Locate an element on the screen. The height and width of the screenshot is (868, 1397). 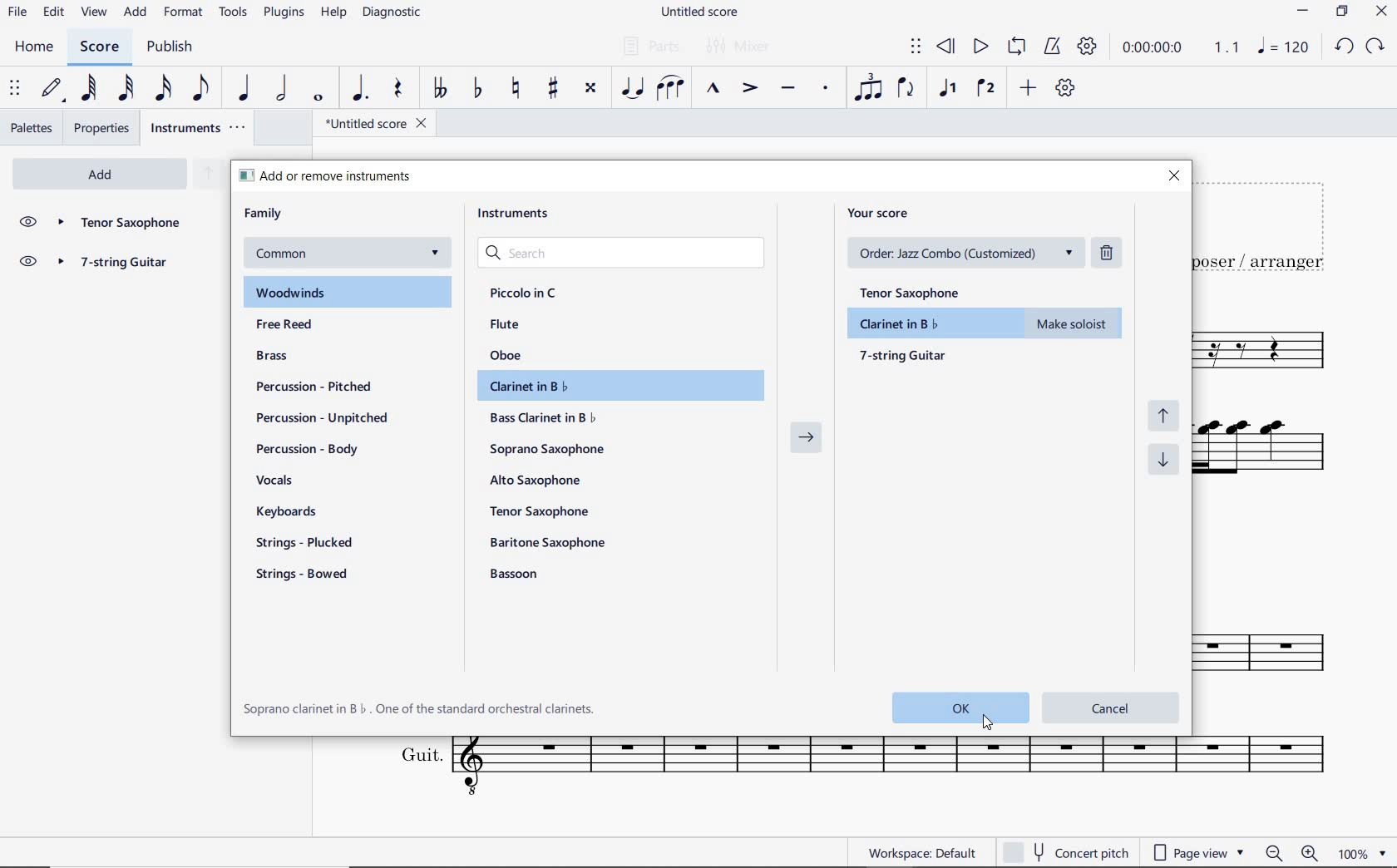
search is located at coordinates (624, 254).